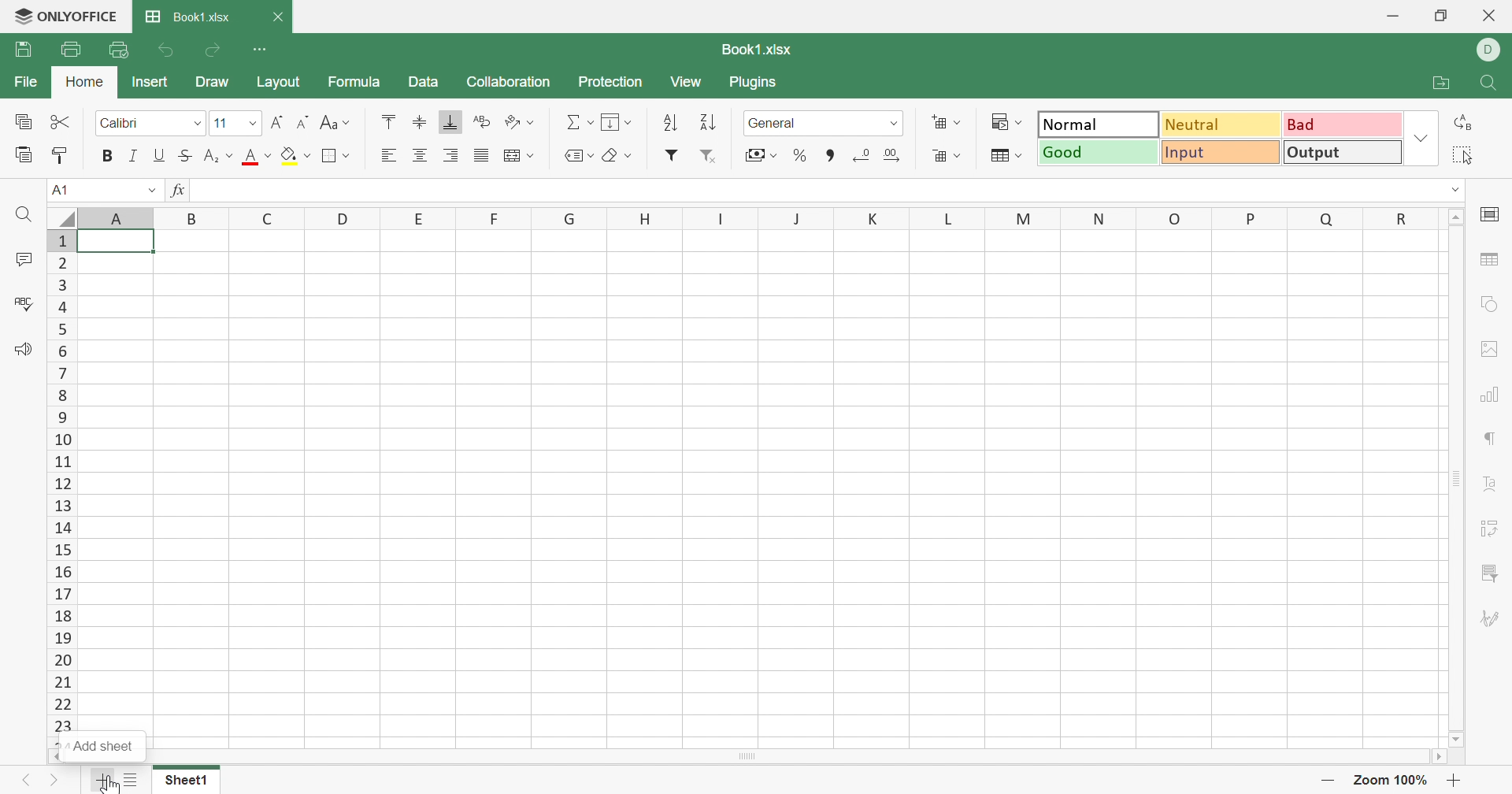  What do you see at coordinates (1493, 573) in the screenshot?
I see `Filter settings` at bounding box center [1493, 573].